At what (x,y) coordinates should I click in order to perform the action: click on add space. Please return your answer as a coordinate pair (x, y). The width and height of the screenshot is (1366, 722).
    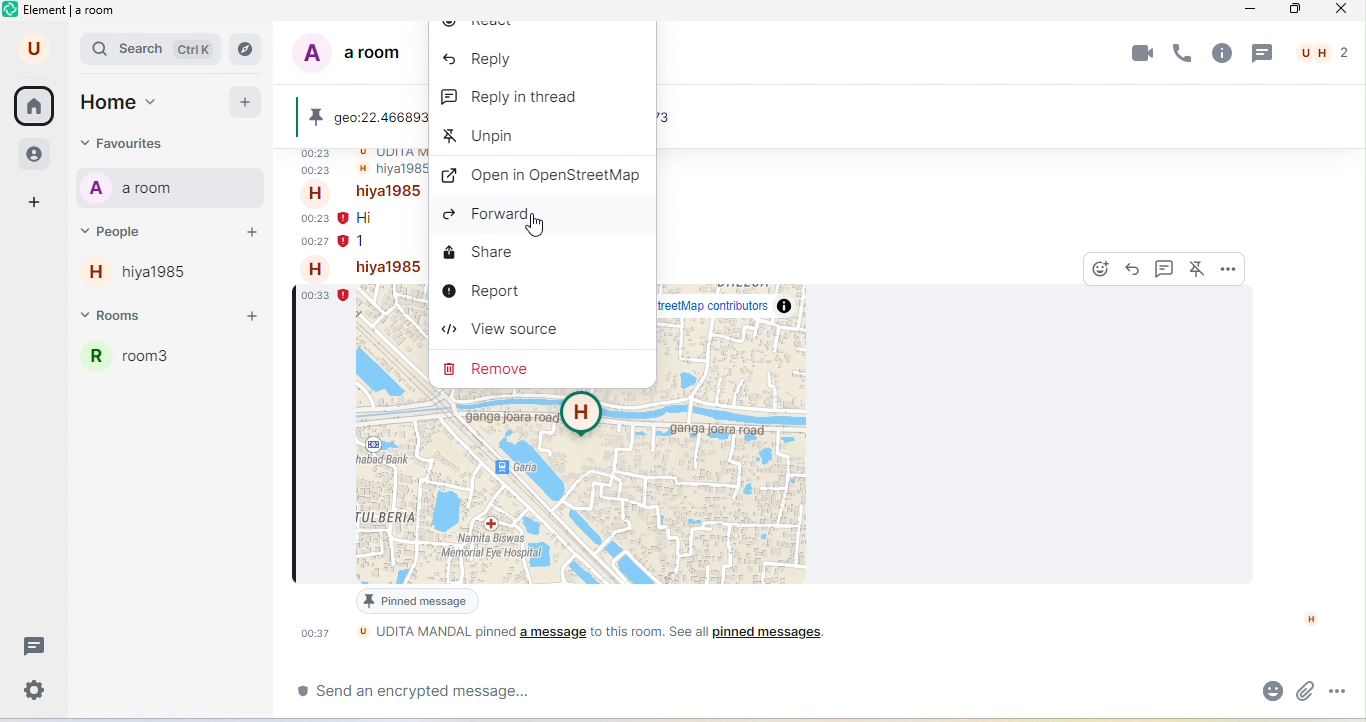
    Looking at the image, I should click on (31, 202).